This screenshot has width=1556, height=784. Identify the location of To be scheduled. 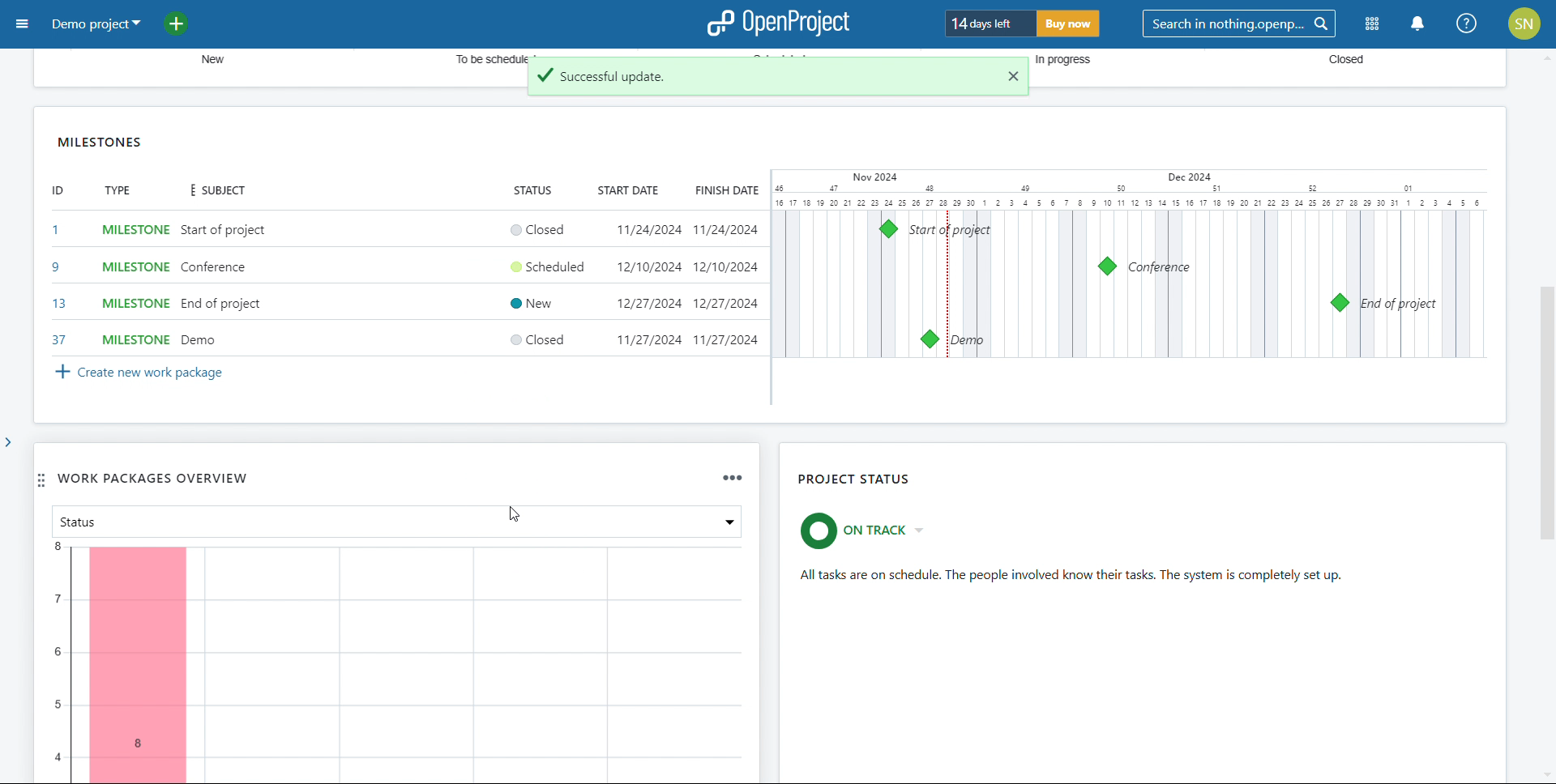
(489, 54).